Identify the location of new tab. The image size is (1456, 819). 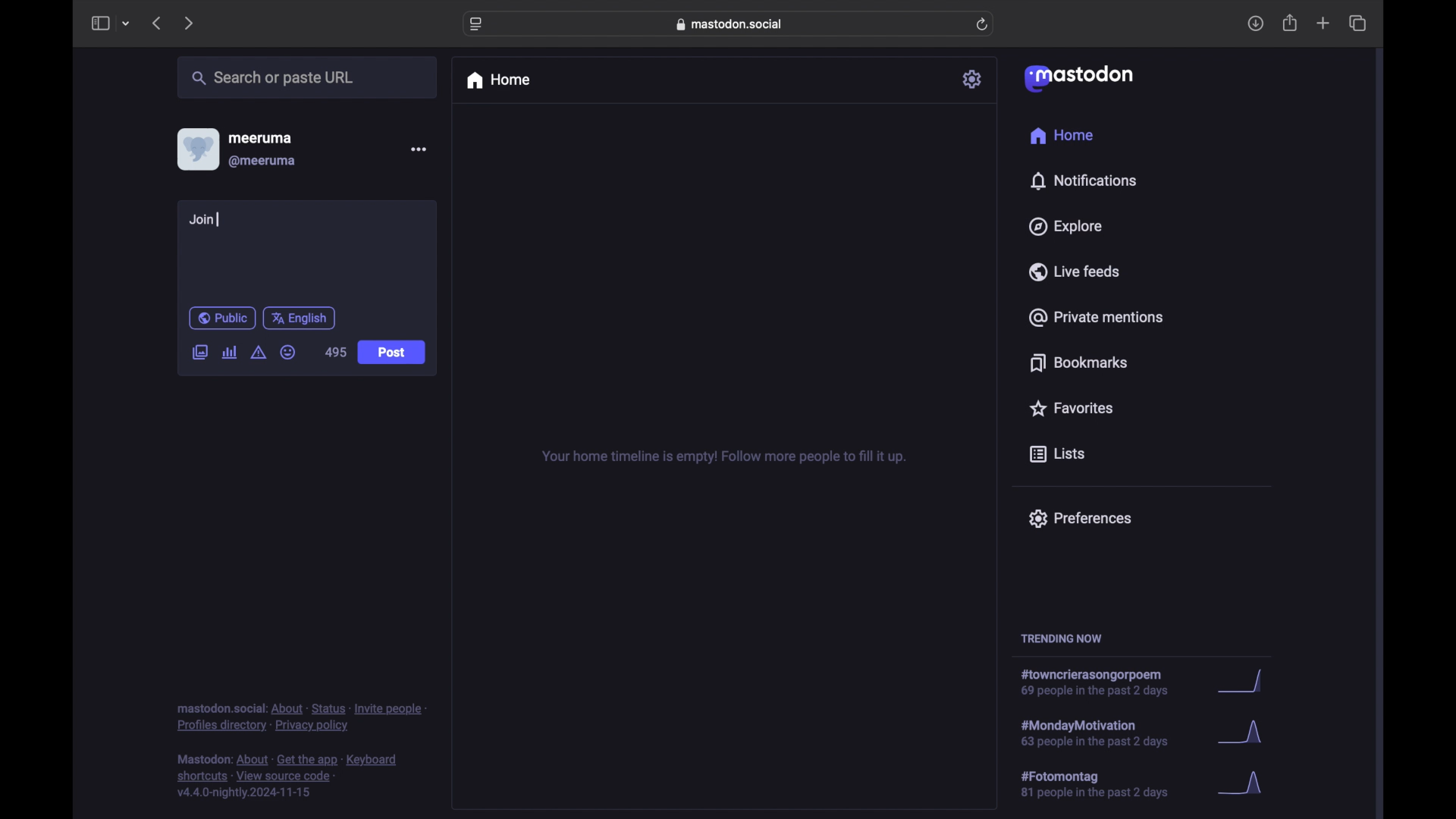
(1323, 23).